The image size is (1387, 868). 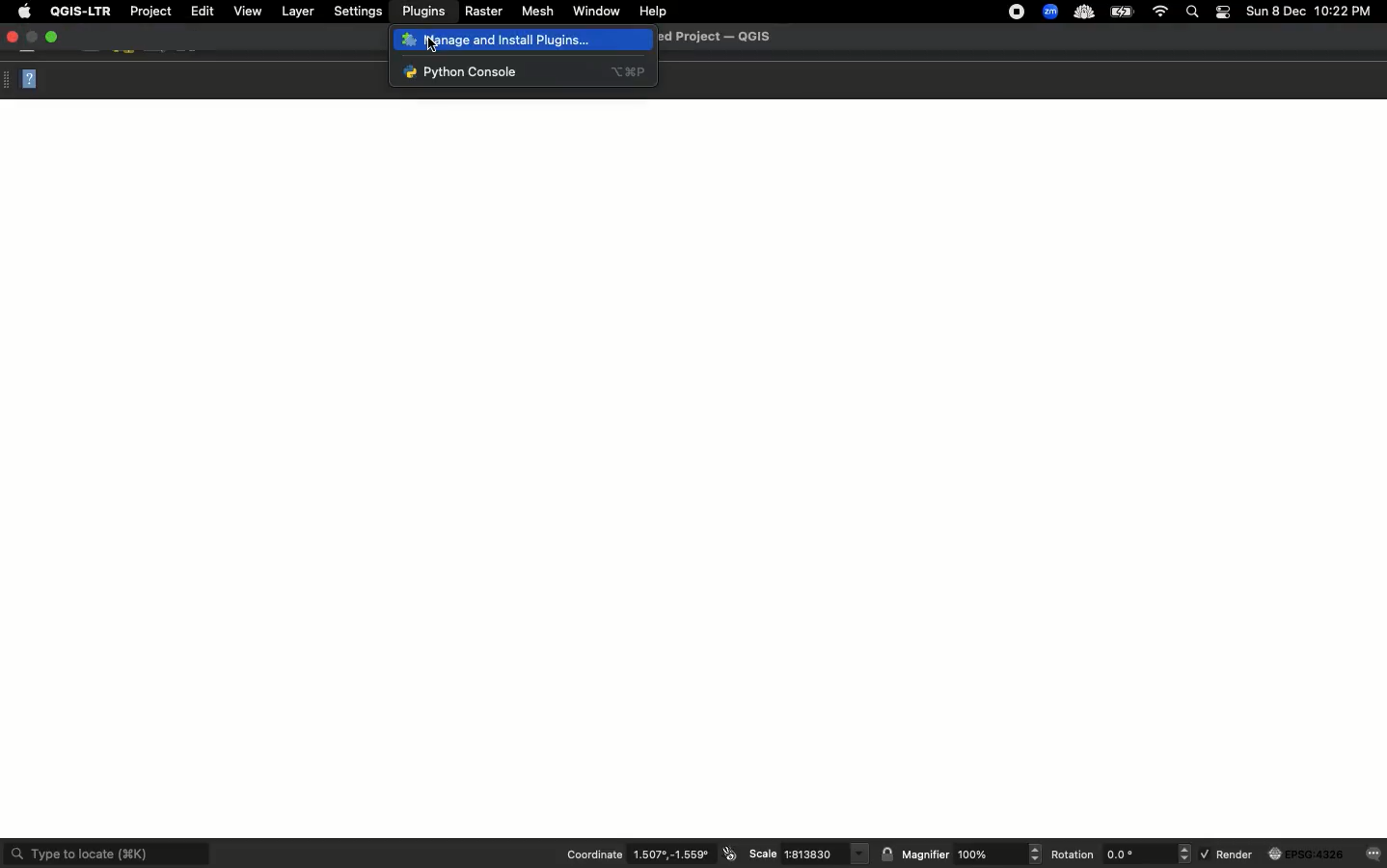 What do you see at coordinates (78, 12) in the screenshot?
I see `QGIS` at bounding box center [78, 12].